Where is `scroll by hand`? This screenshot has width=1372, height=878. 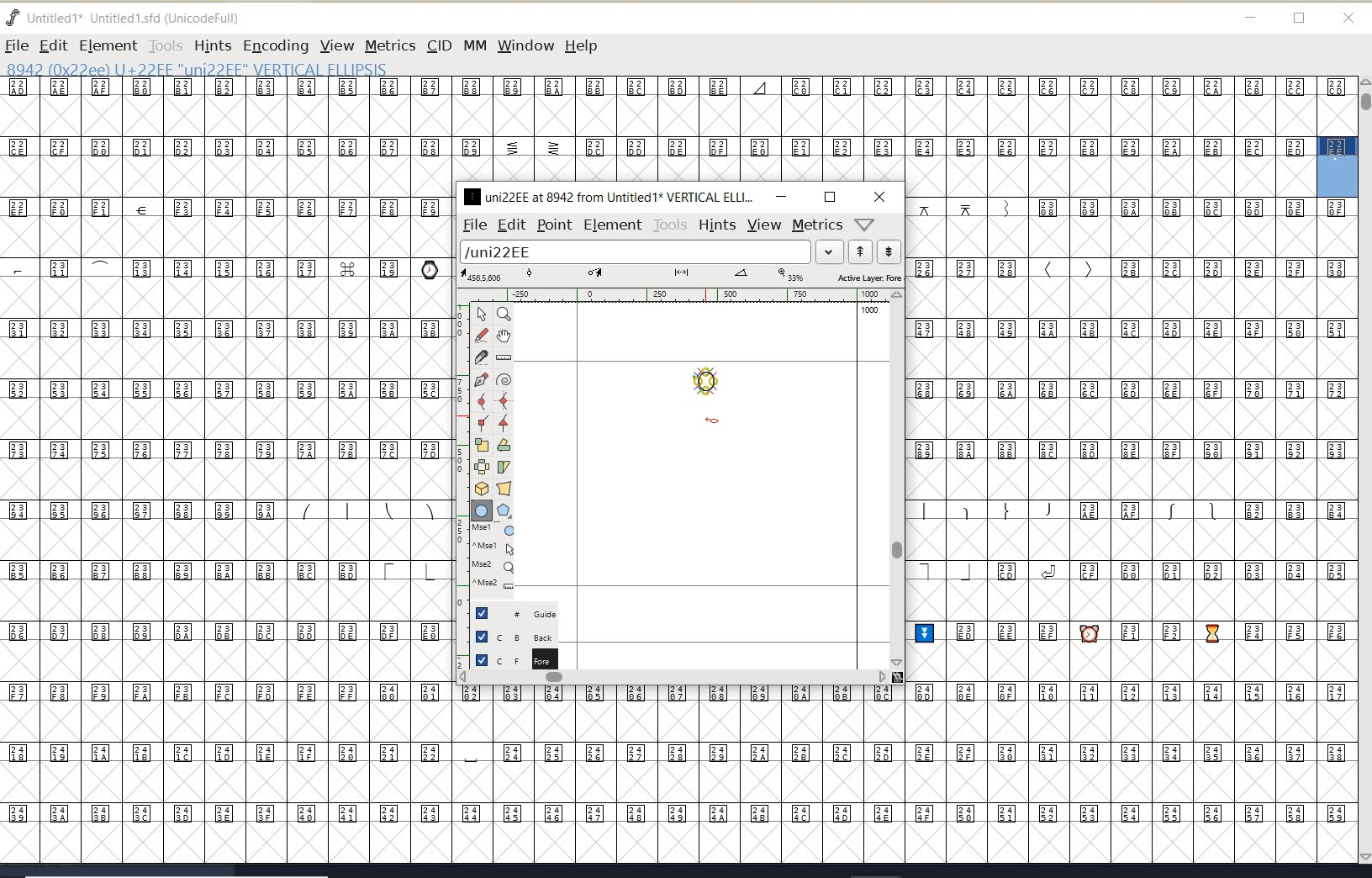 scroll by hand is located at coordinates (504, 337).